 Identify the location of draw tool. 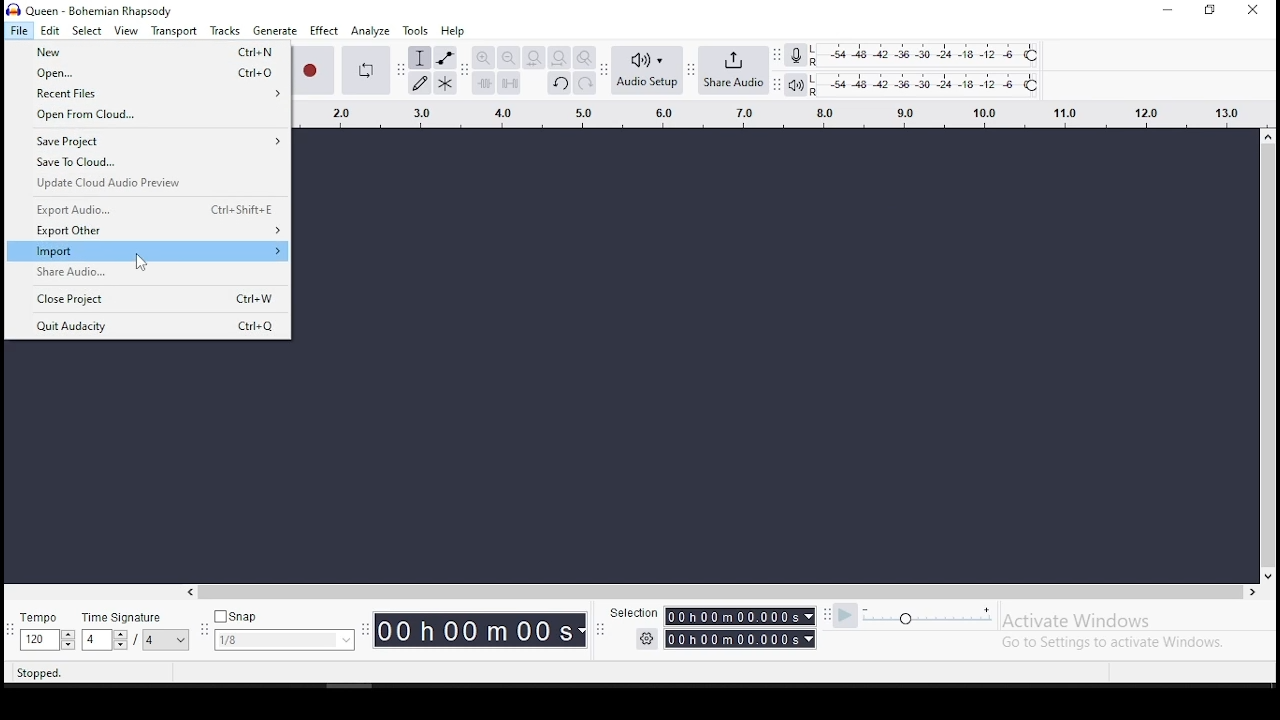
(420, 83).